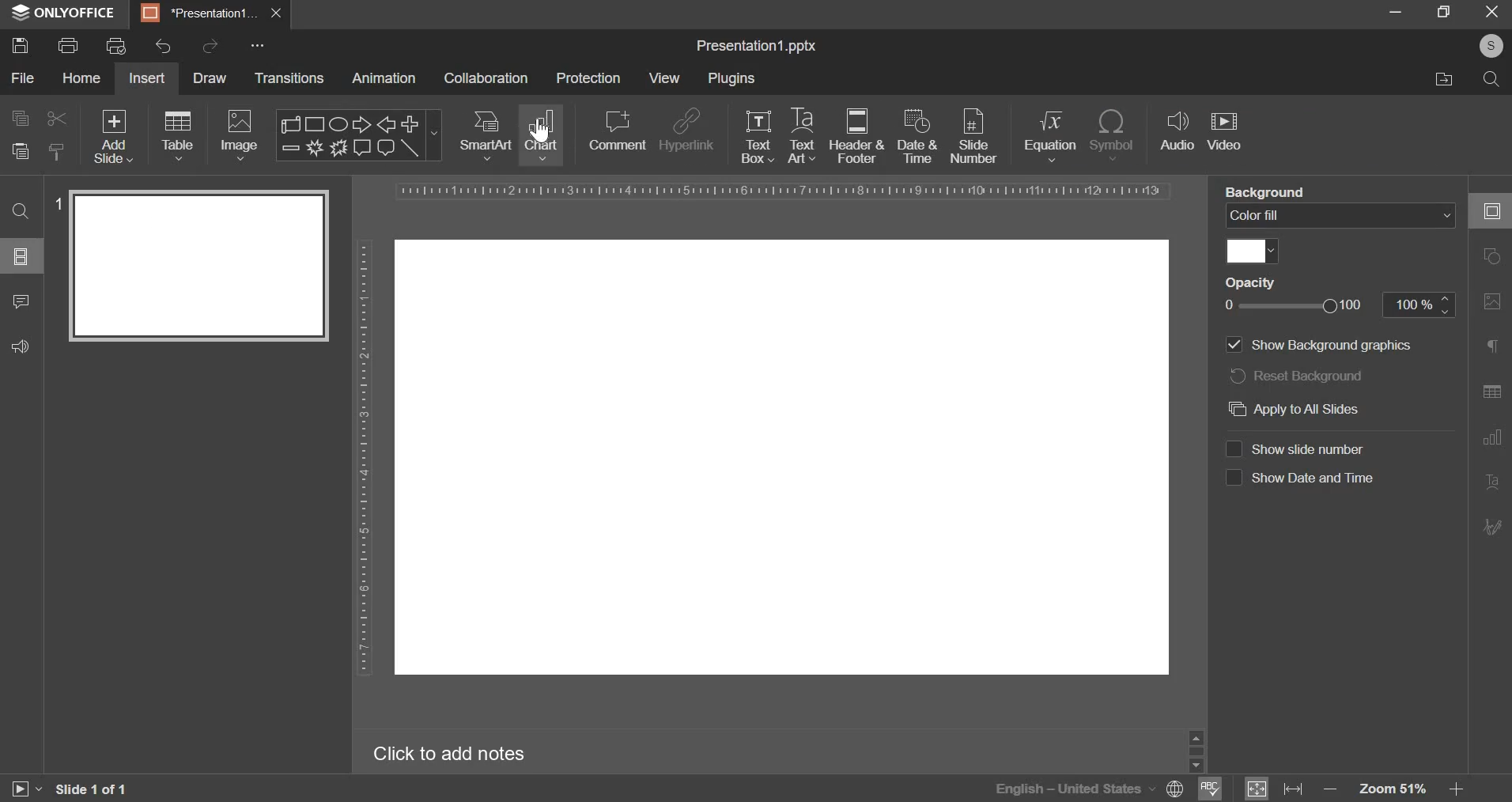  I want to click on search, so click(1492, 79).